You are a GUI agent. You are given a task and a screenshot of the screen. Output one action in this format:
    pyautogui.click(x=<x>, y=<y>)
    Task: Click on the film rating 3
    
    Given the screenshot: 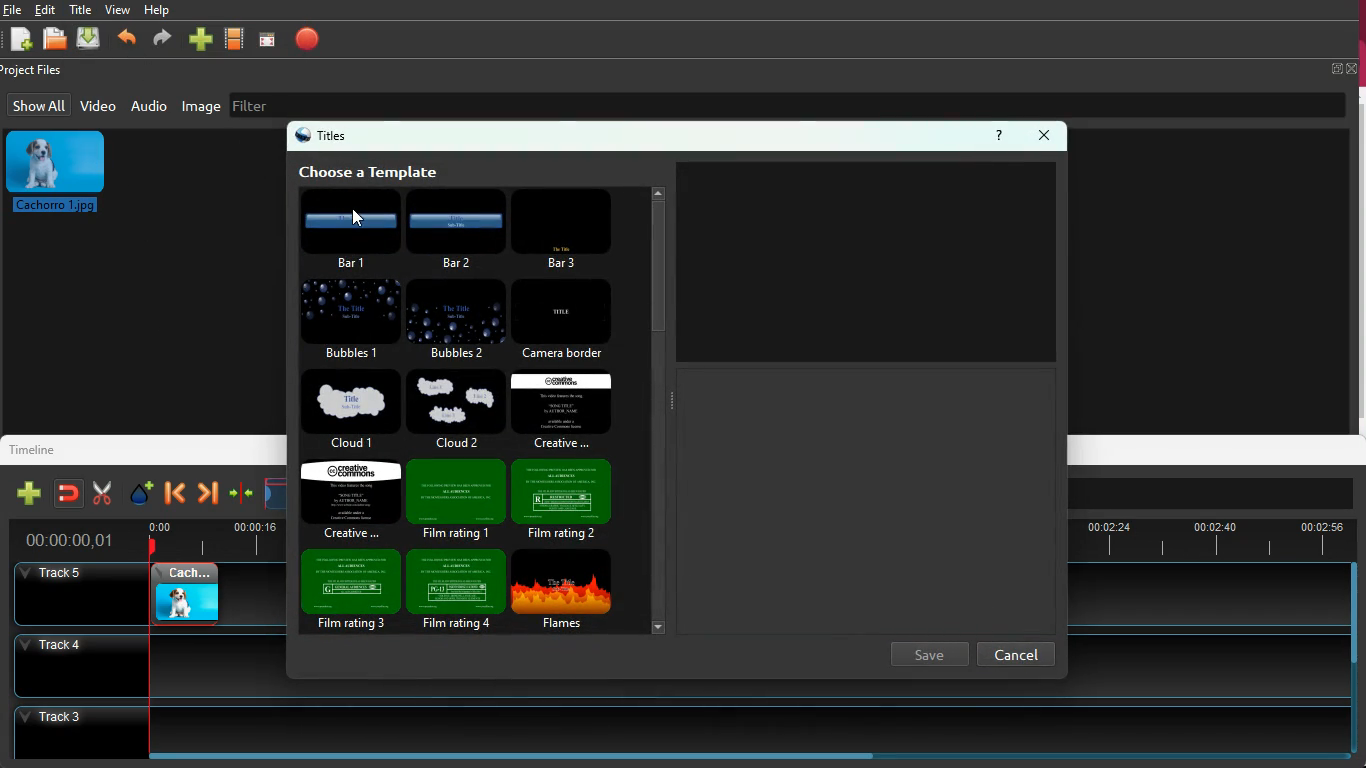 What is the action you would take?
    pyautogui.click(x=348, y=594)
    